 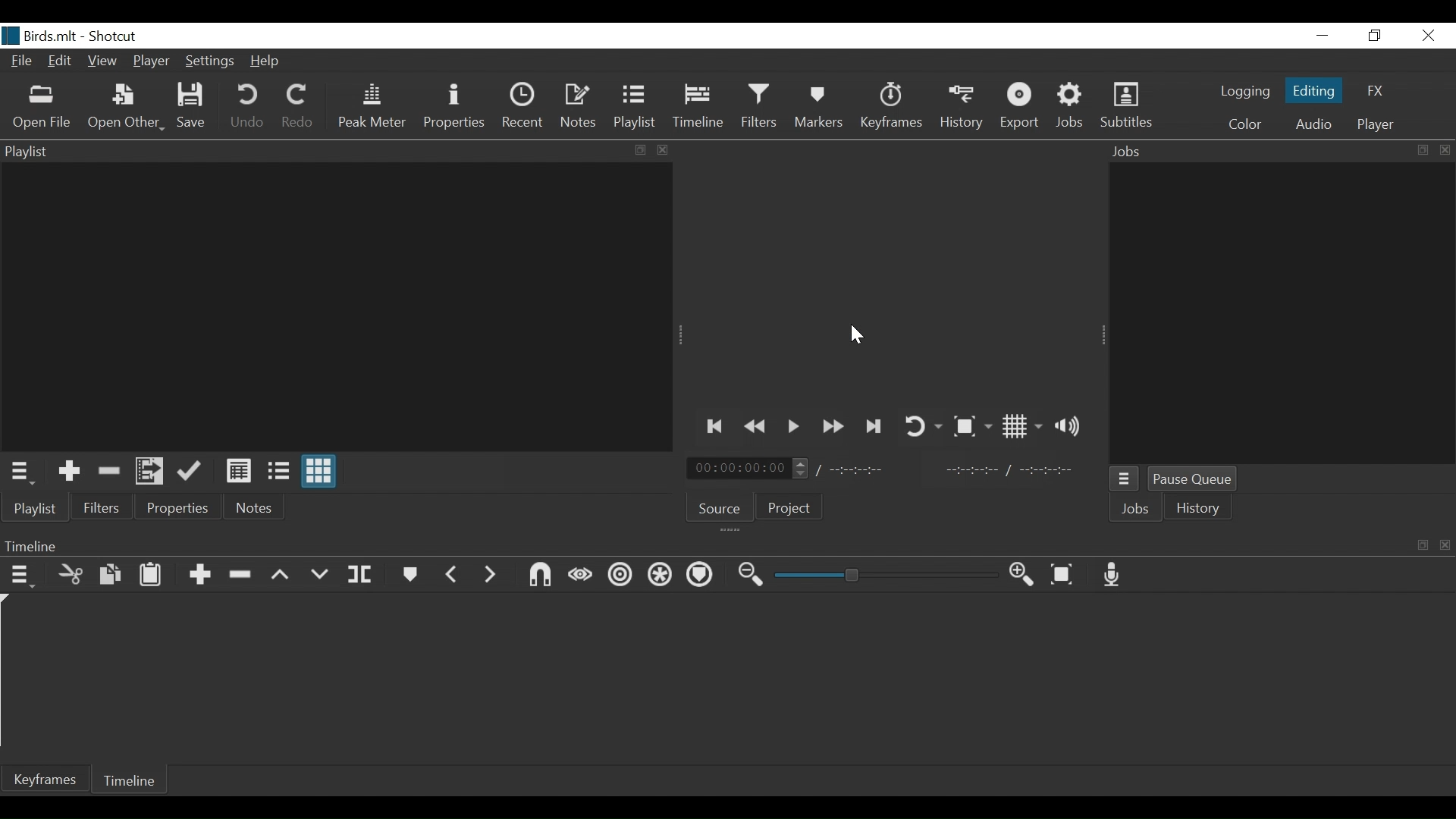 What do you see at coordinates (762, 105) in the screenshot?
I see `Filters` at bounding box center [762, 105].